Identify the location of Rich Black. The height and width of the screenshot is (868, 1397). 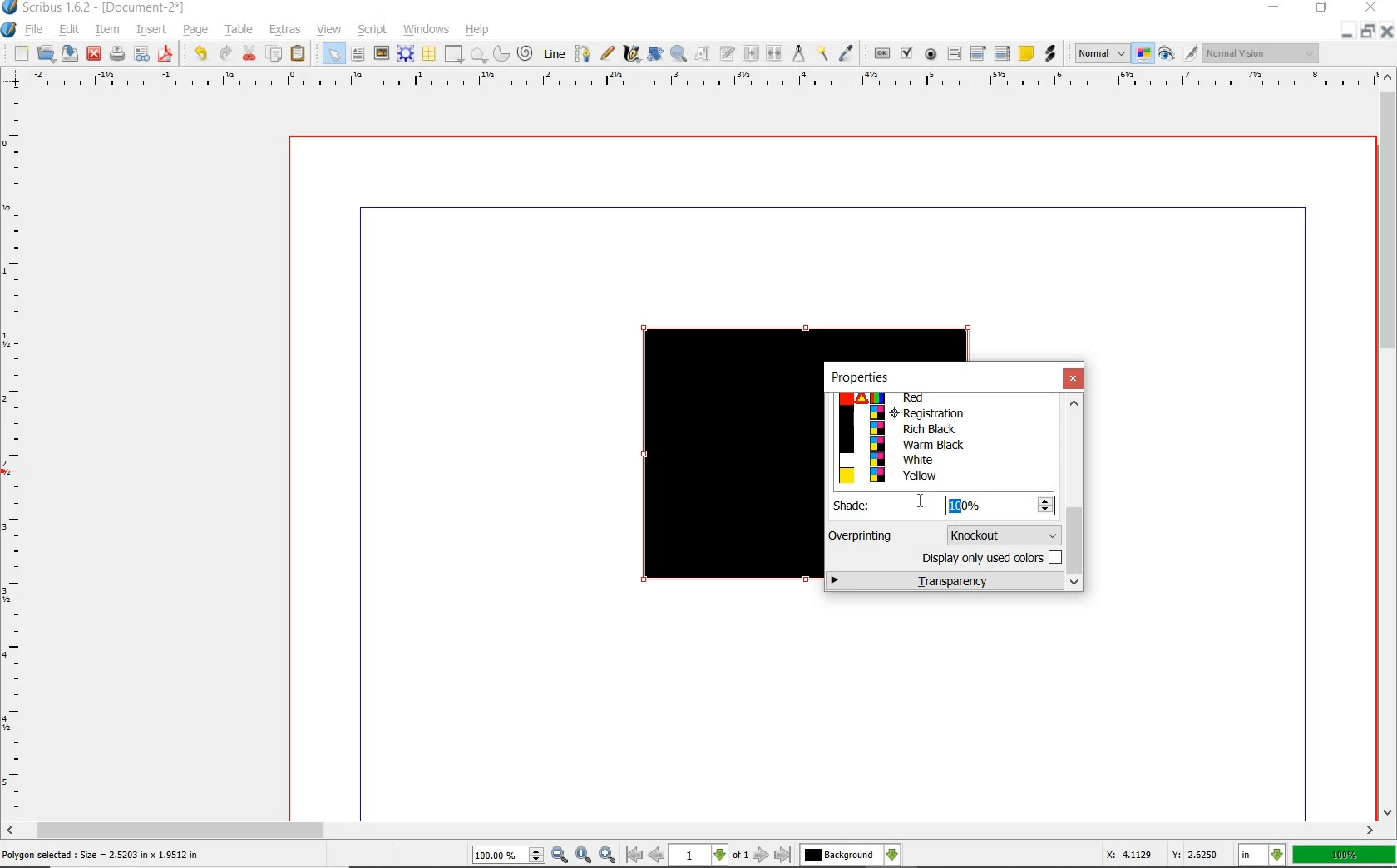
(941, 430).